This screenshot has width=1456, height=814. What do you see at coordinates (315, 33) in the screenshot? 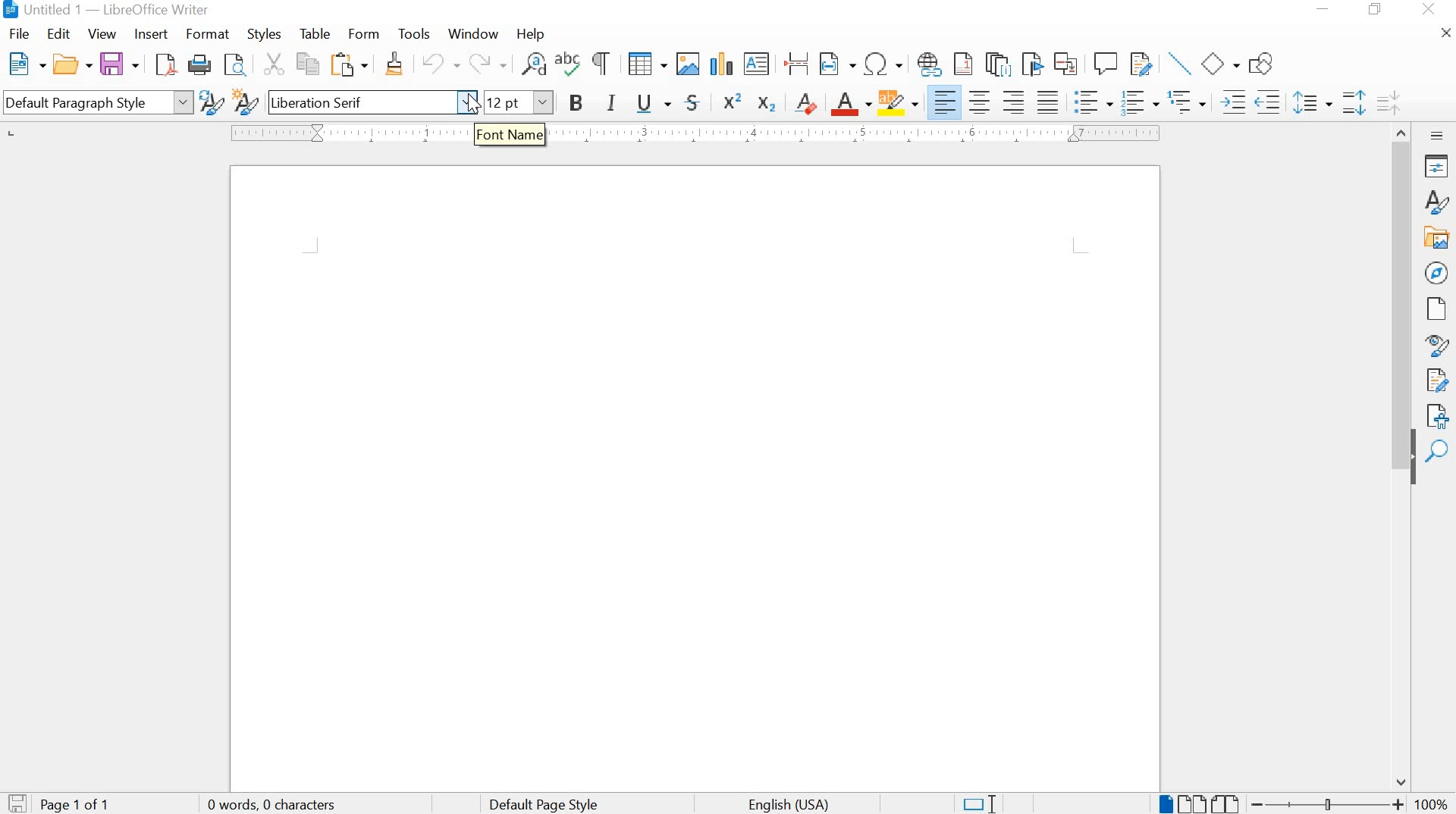
I see `TABLE` at bounding box center [315, 33].